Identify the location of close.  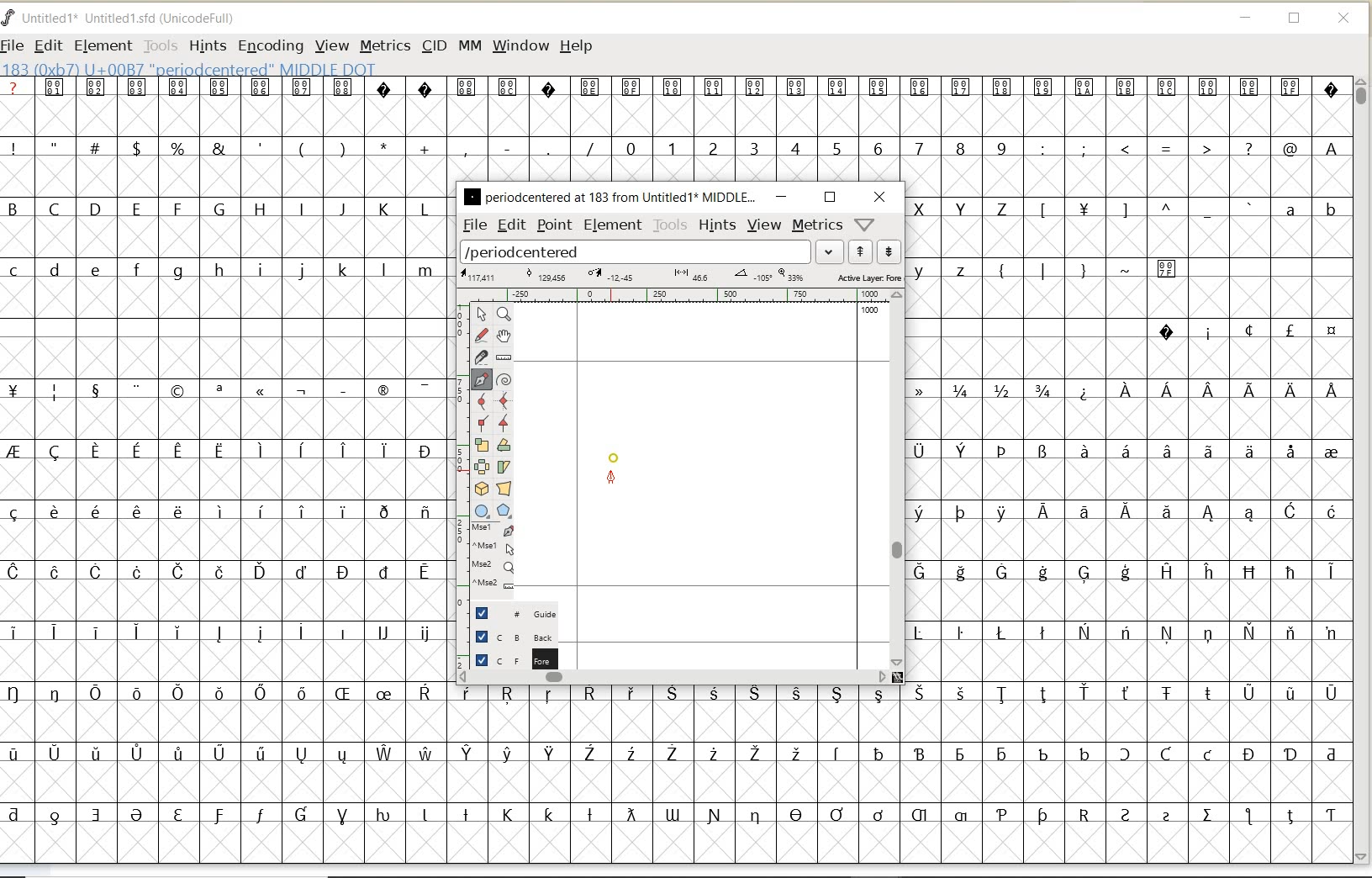
(879, 197).